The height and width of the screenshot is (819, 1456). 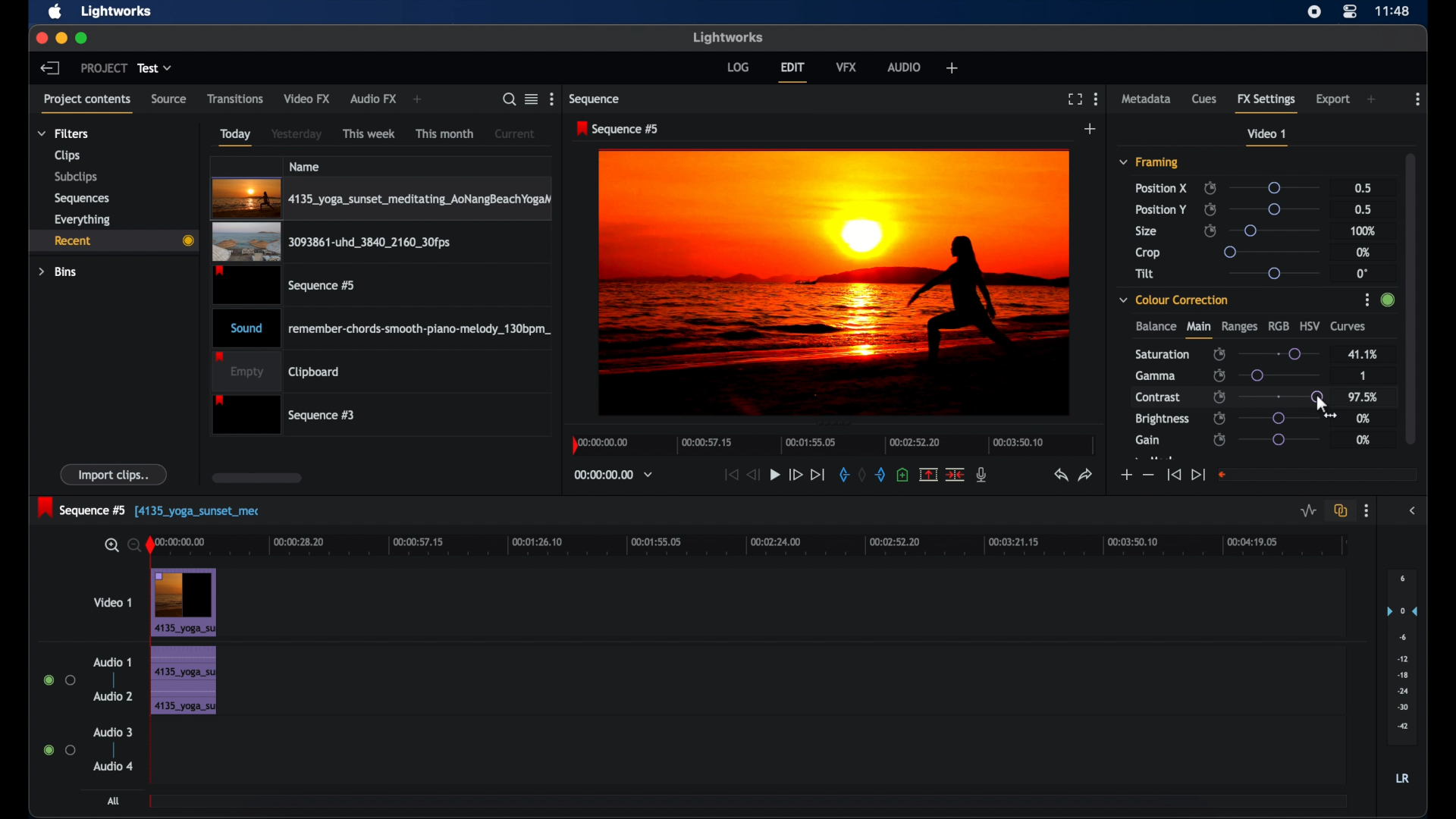 I want to click on increment, so click(x=1125, y=475).